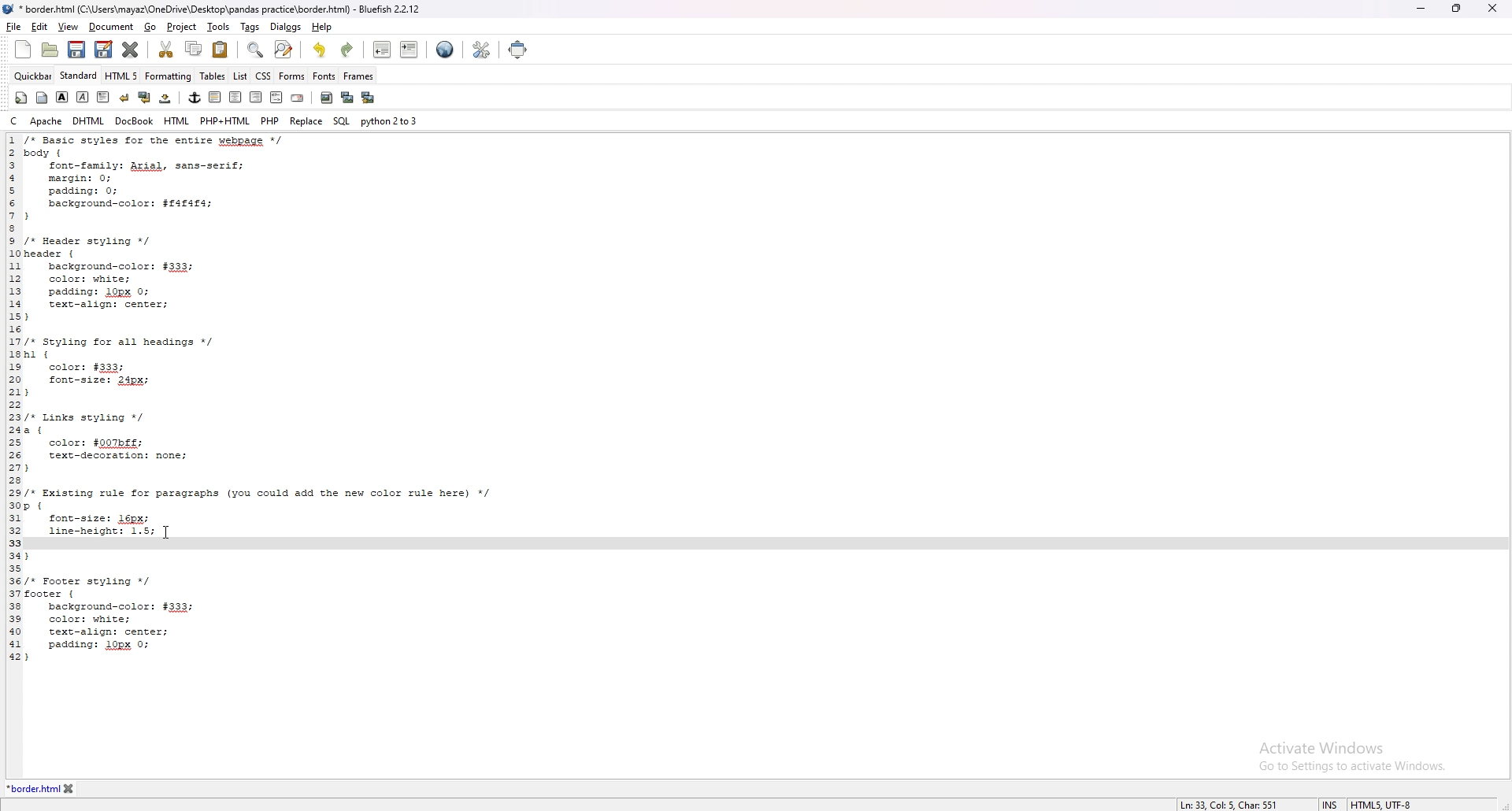 This screenshot has width=1512, height=811. Describe the element at coordinates (151, 28) in the screenshot. I see `go` at that location.